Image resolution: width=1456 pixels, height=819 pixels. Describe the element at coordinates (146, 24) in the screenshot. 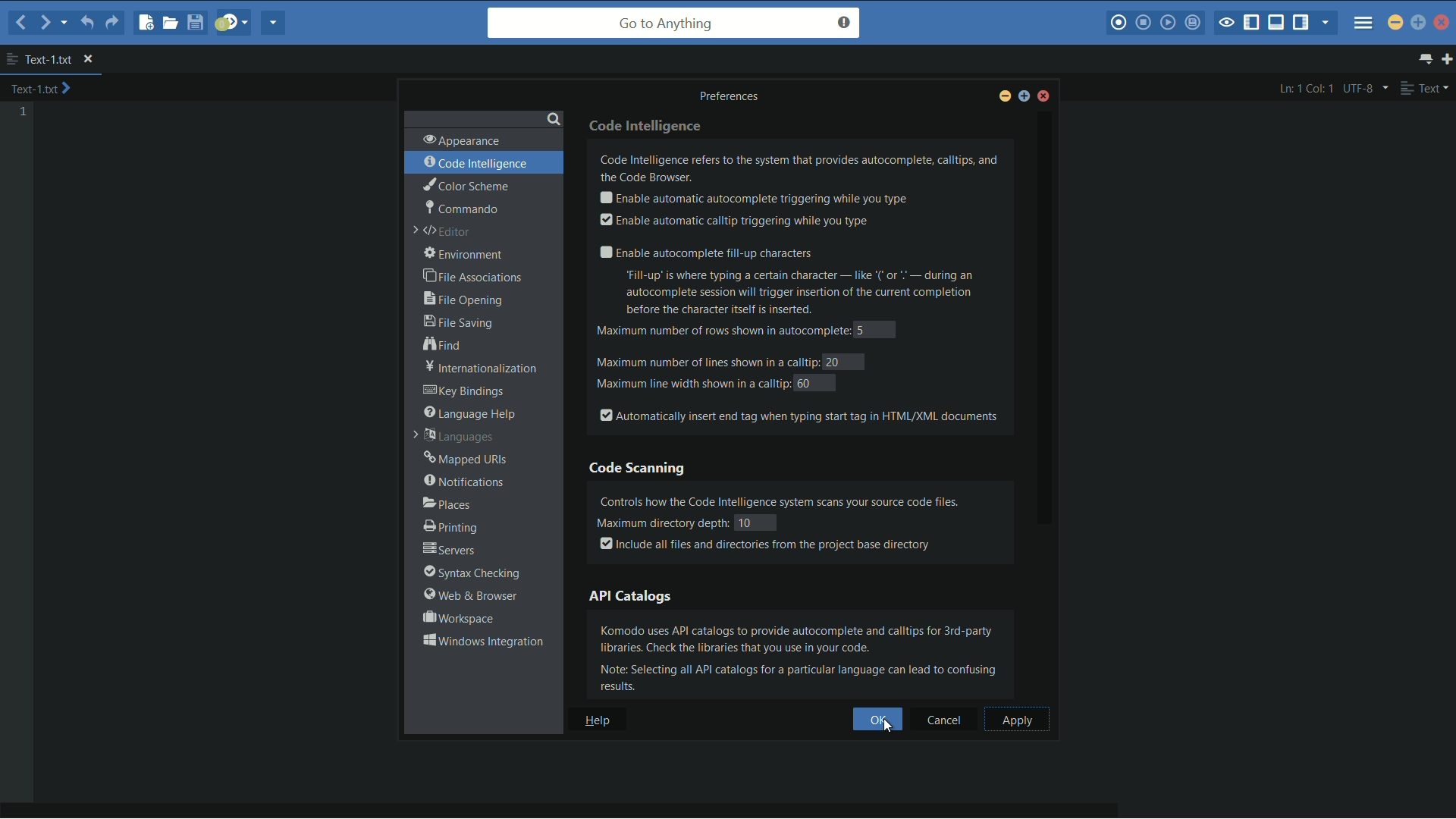

I see `new file` at that location.